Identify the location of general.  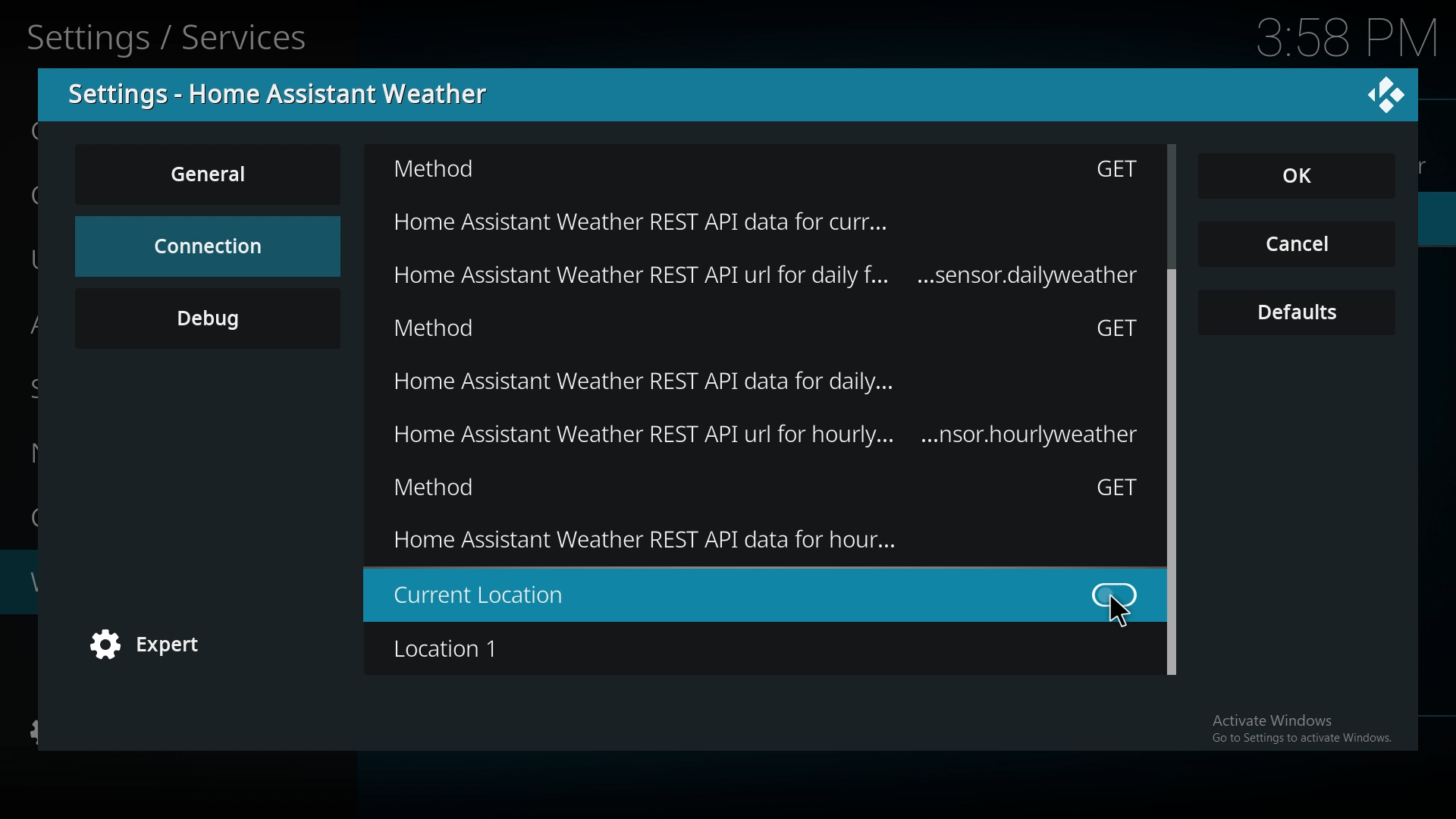
(211, 174).